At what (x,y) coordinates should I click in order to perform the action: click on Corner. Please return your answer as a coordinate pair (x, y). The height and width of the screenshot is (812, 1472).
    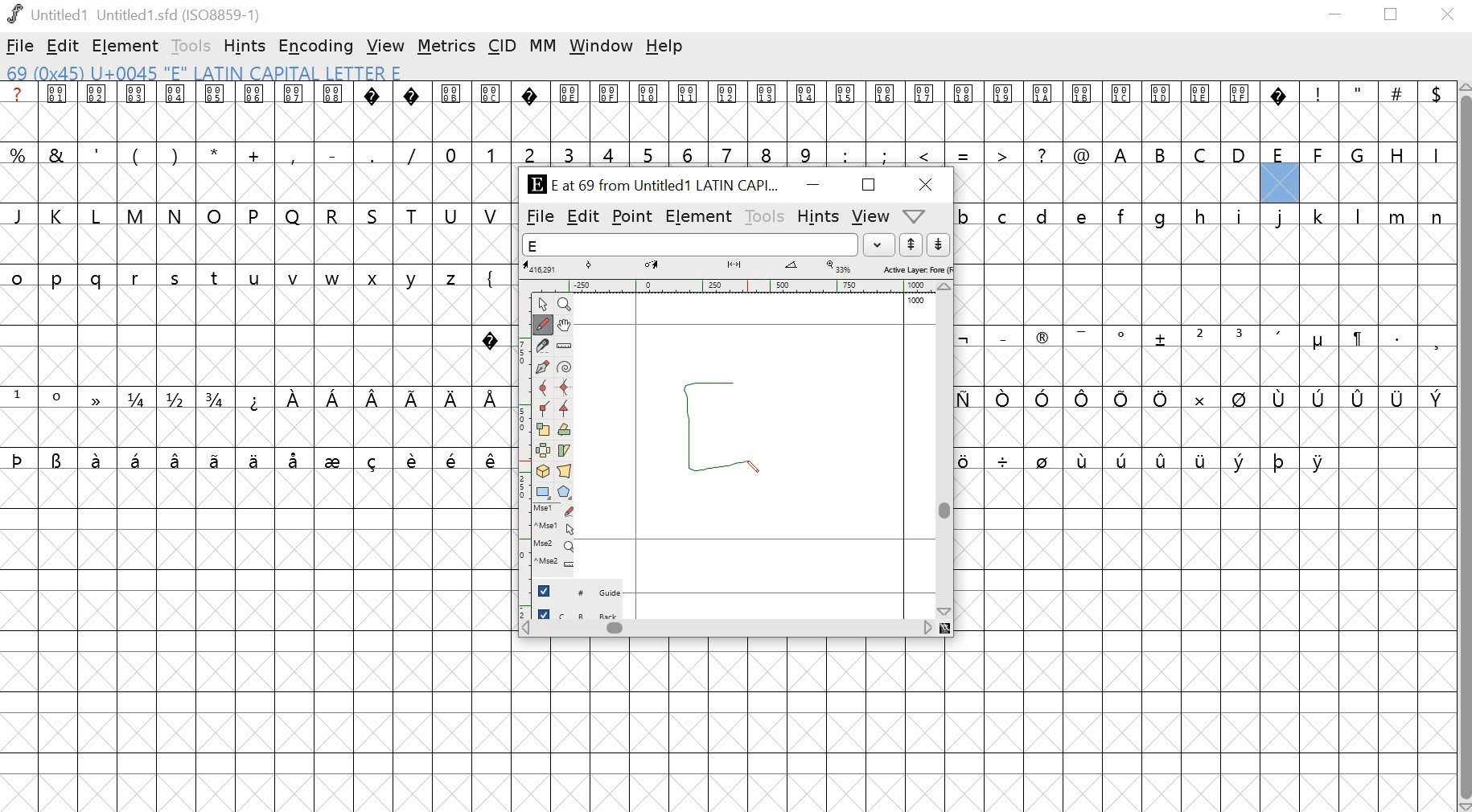
    Looking at the image, I should click on (543, 409).